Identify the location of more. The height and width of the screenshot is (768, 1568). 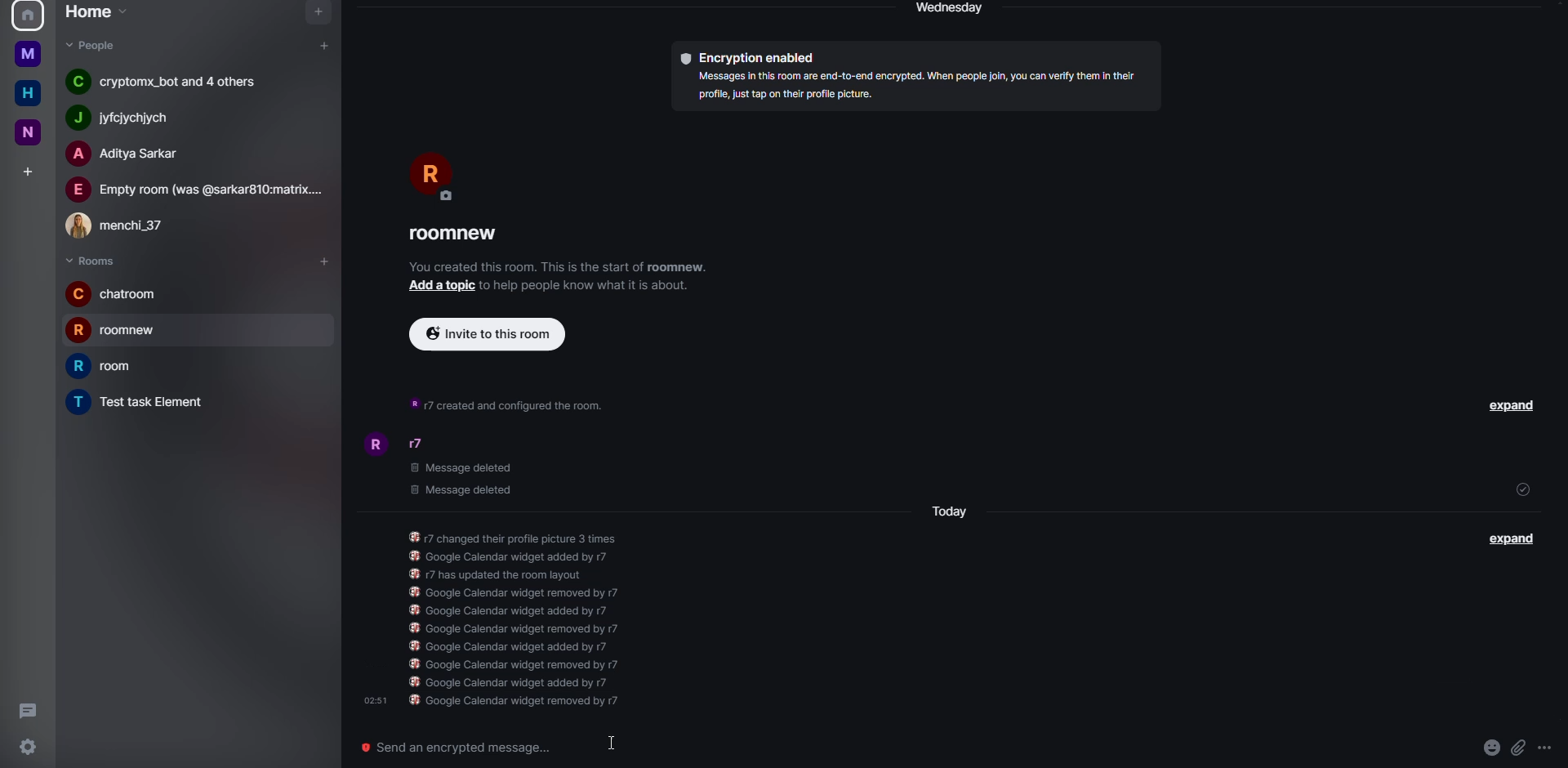
(1549, 750).